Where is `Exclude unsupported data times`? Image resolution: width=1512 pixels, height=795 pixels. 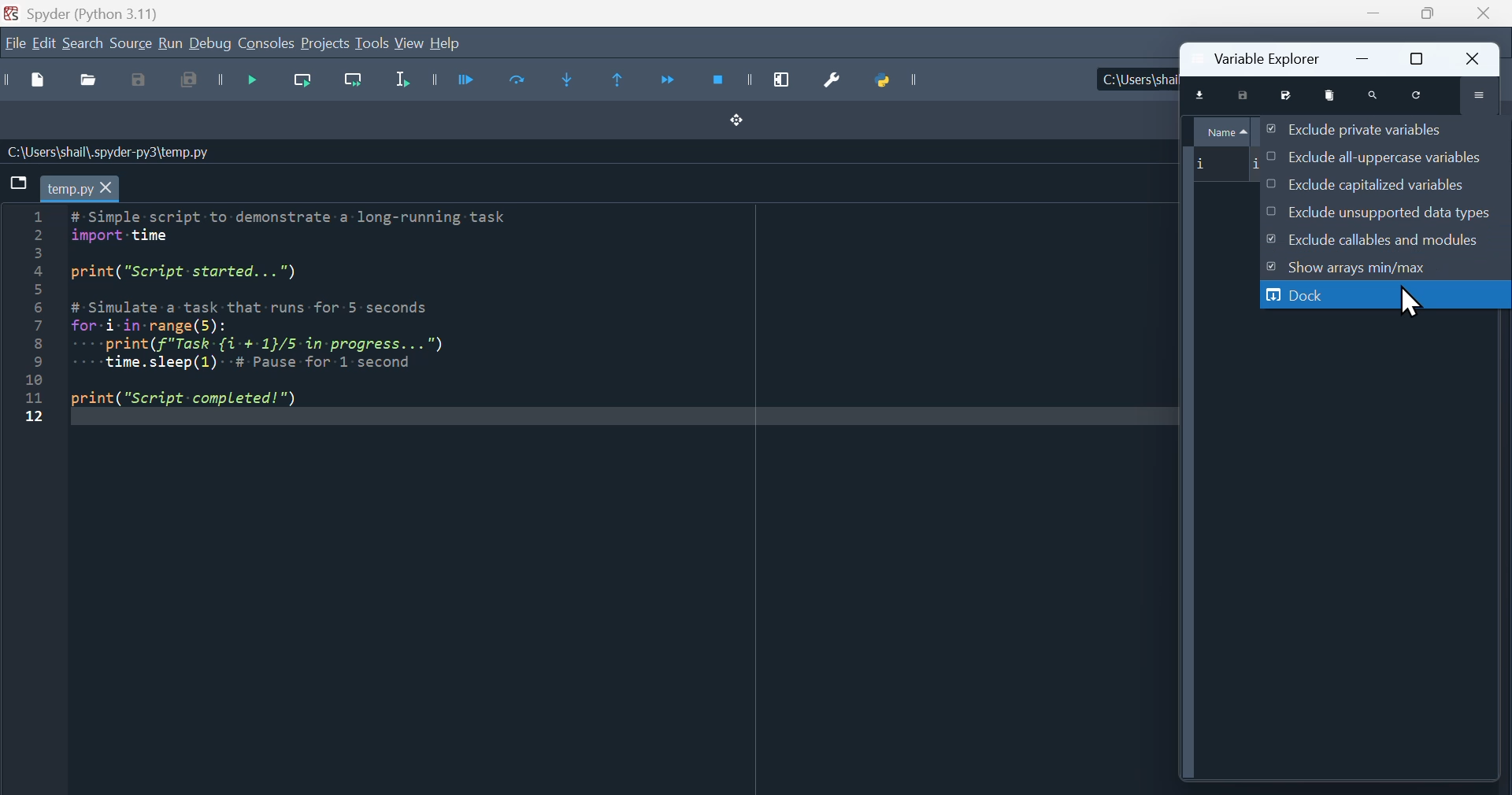 Exclude unsupported data times is located at coordinates (1380, 212).